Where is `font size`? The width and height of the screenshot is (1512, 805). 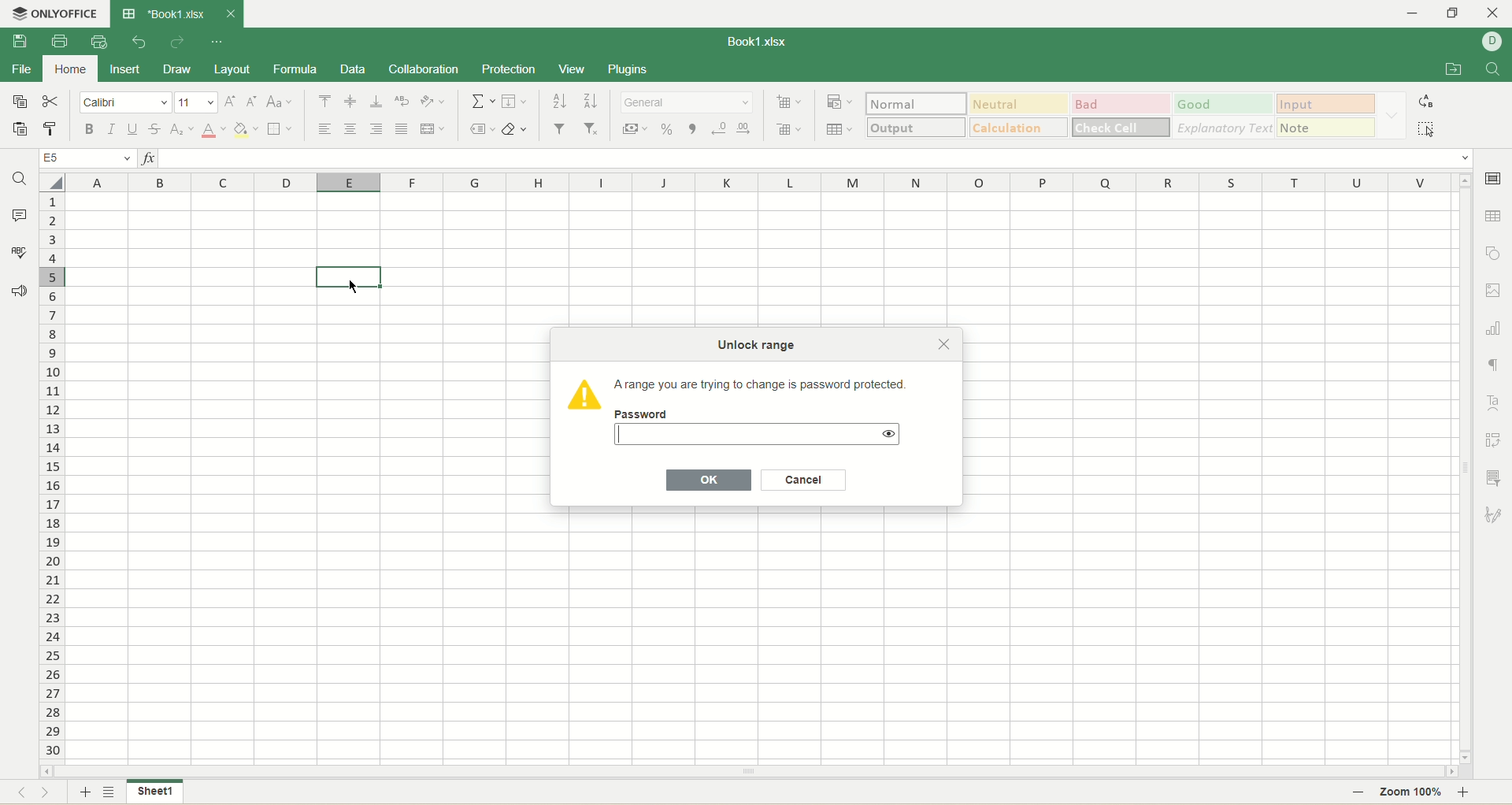 font size is located at coordinates (197, 102).